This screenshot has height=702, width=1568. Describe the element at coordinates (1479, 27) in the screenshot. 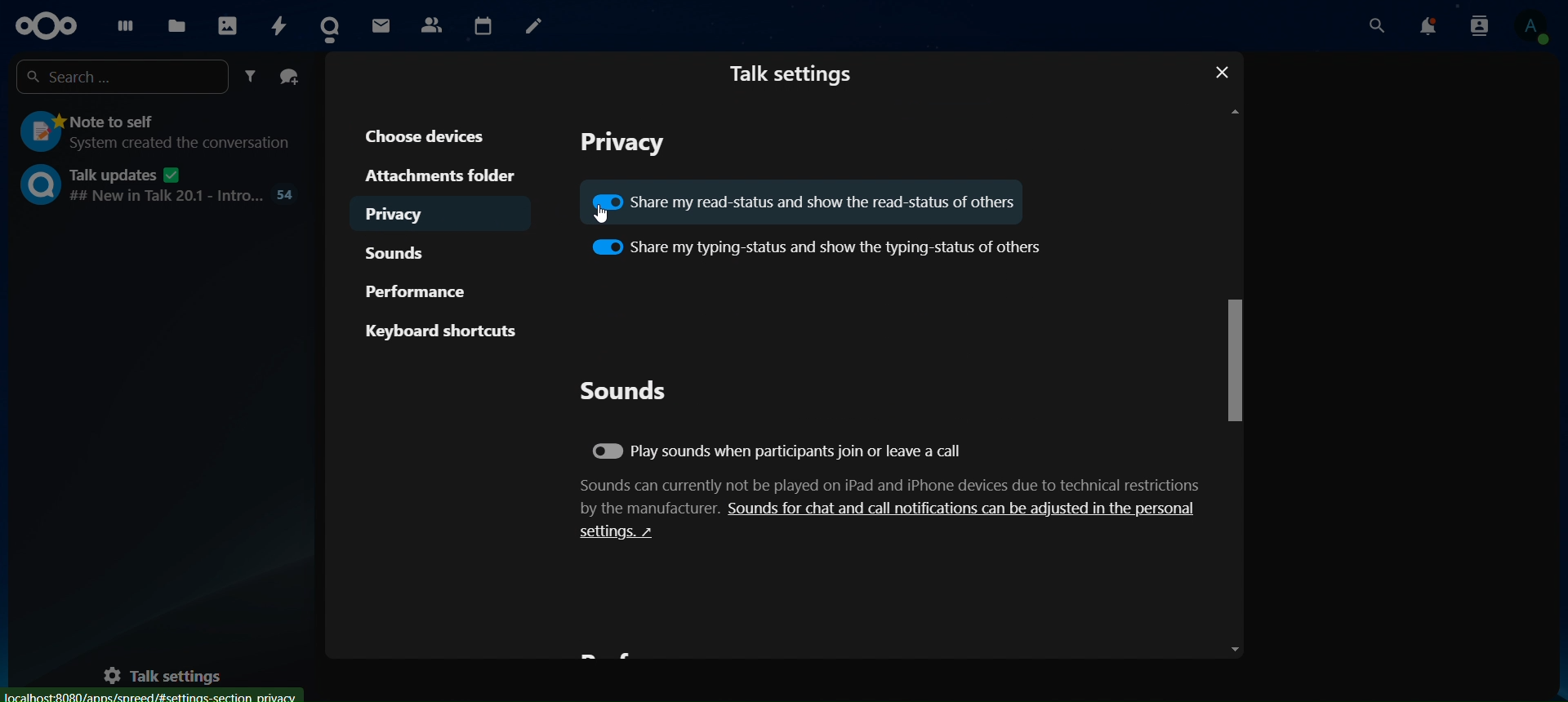

I see `search notifications` at that location.